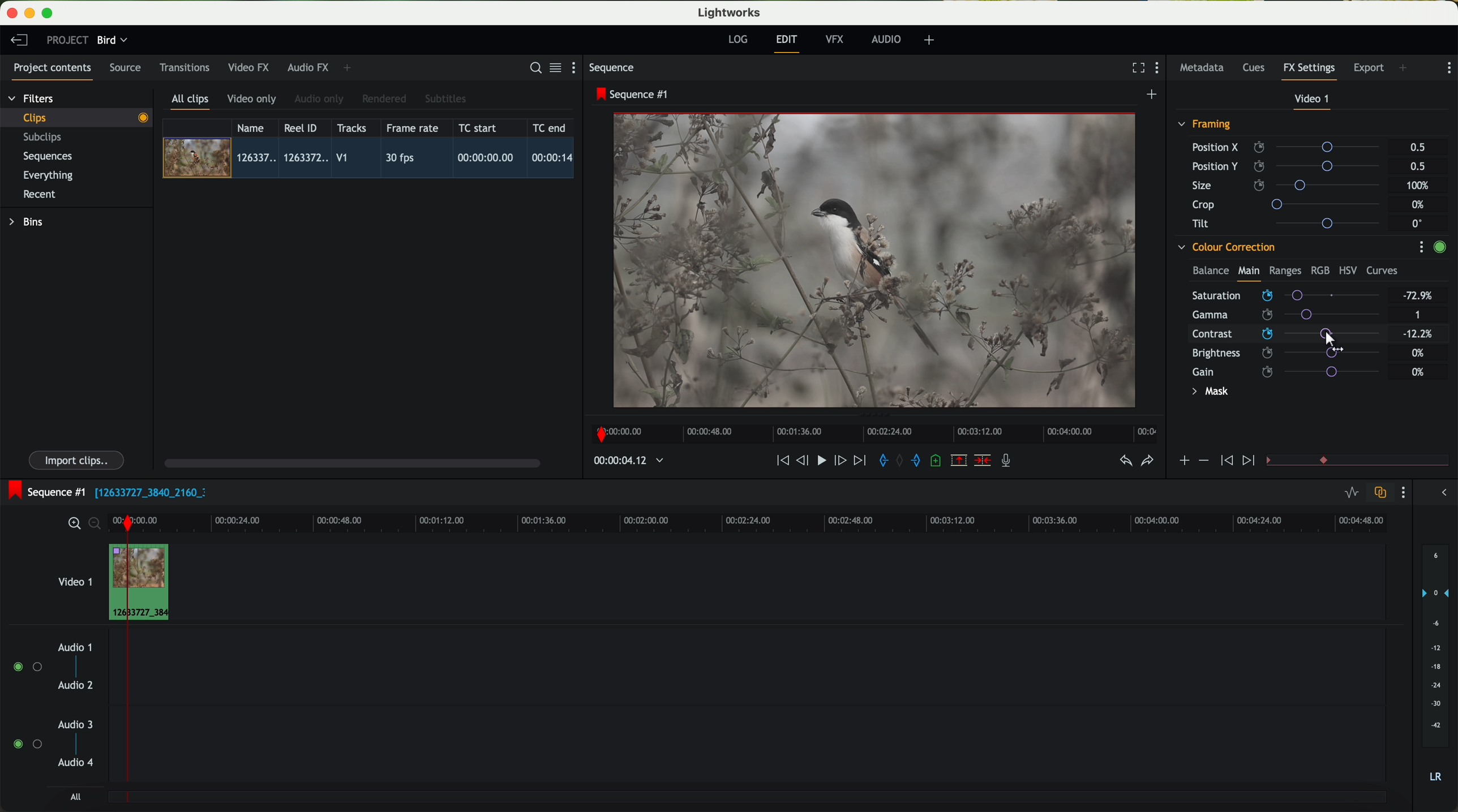  Describe the element at coordinates (578, 67) in the screenshot. I see `show settings menu` at that location.